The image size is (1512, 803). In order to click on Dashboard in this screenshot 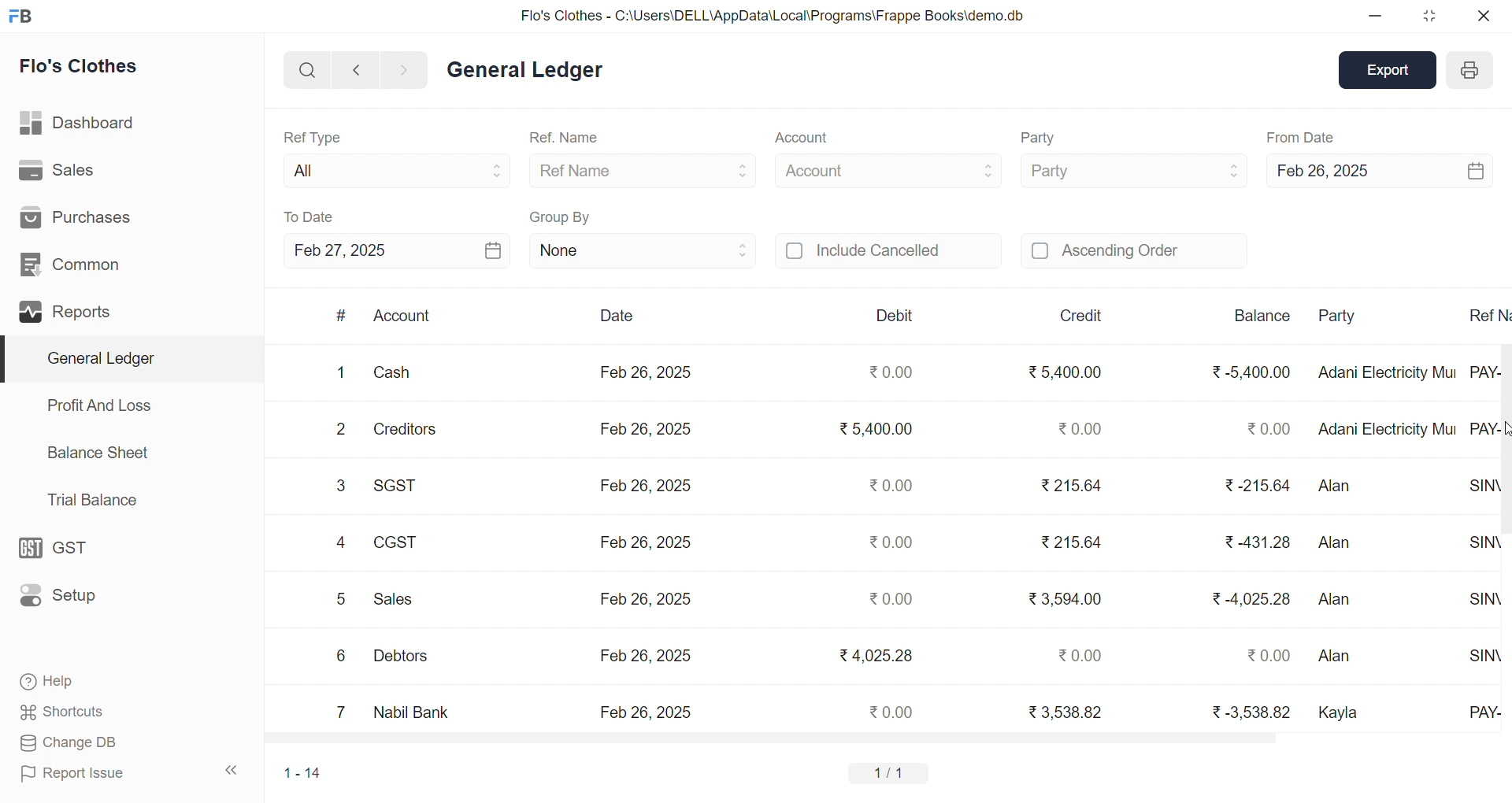, I will do `click(75, 120)`.